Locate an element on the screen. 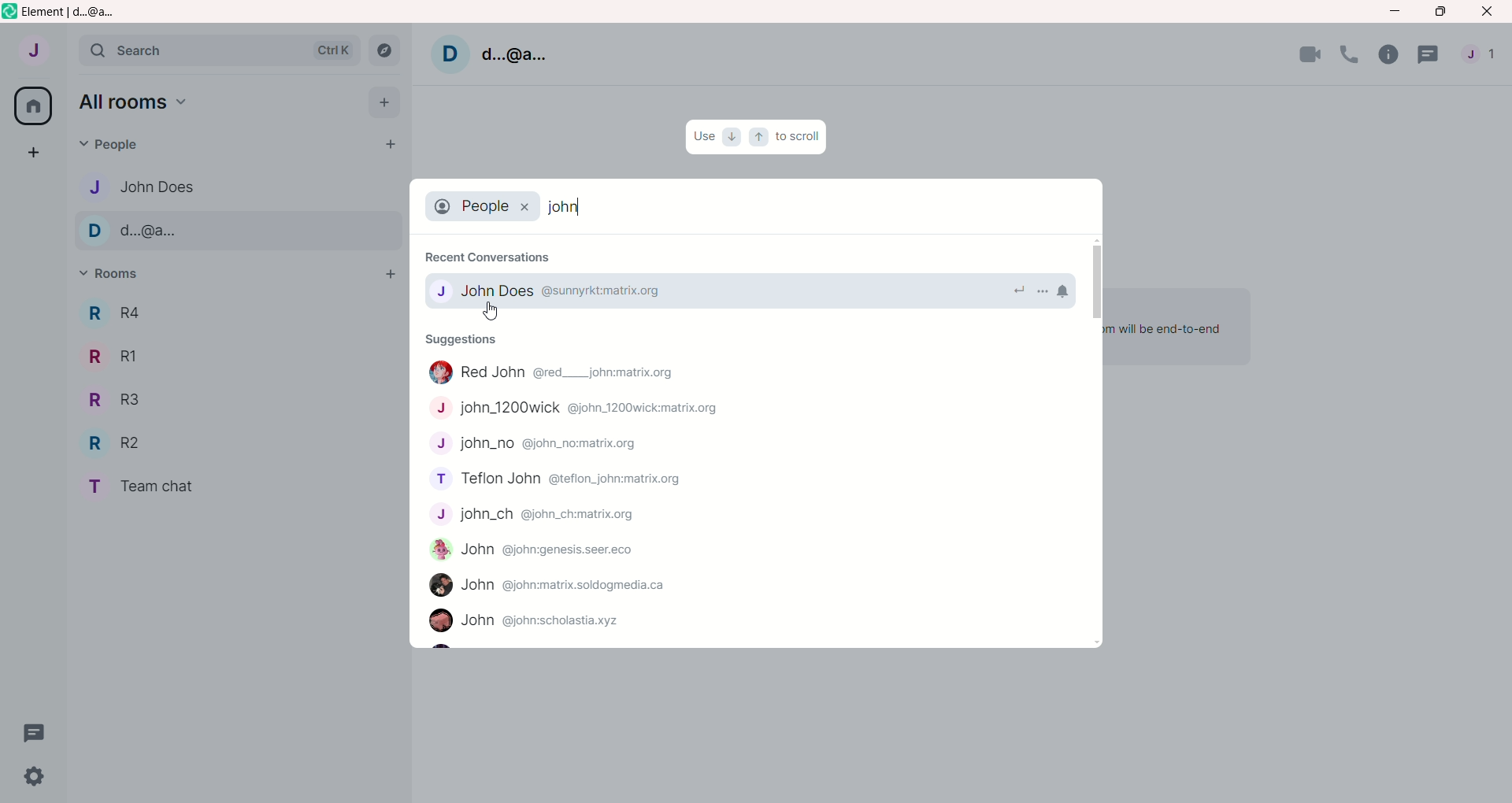 The width and height of the screenshot is (1512, 803). john is located at coordinates (528, 622).